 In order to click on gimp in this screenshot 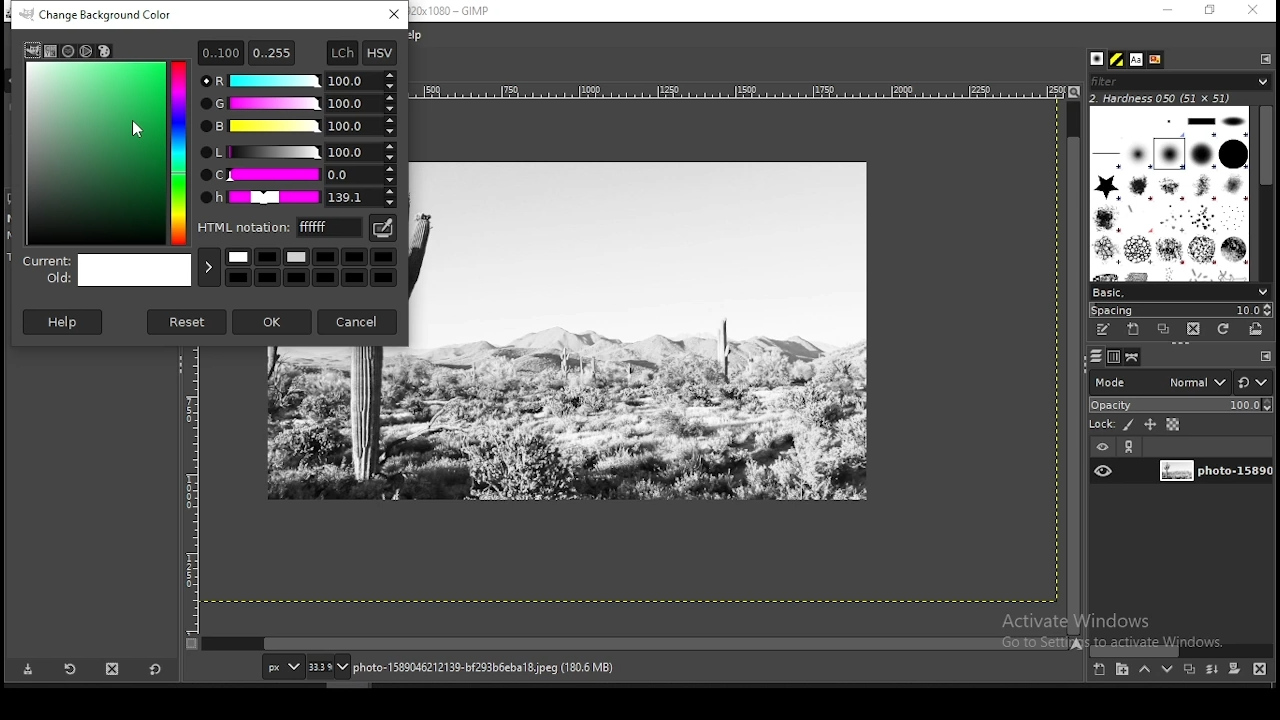, I will do `click(32, 50)`.